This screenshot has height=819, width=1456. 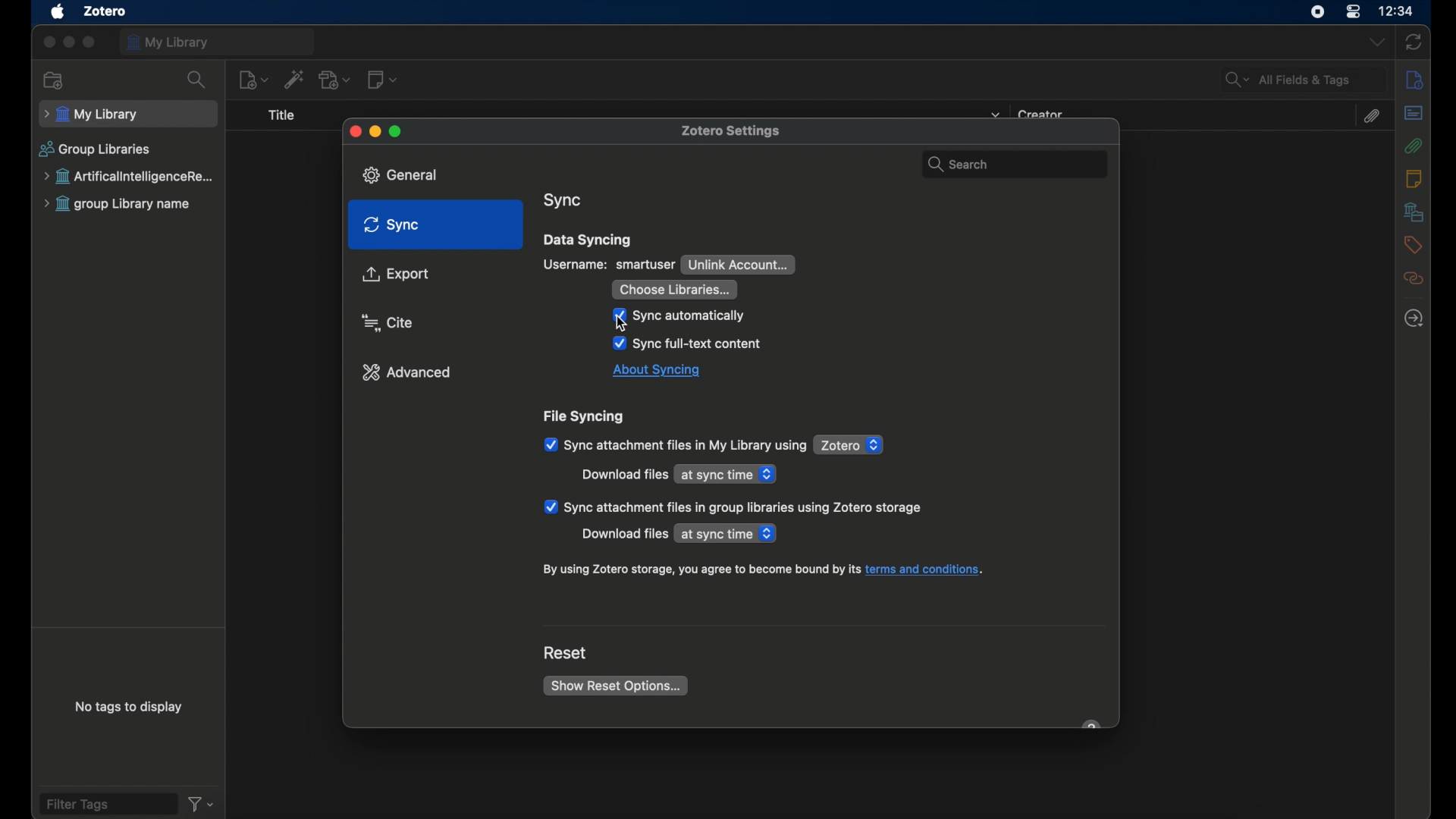 What do you see at coordinates (1413, 279) in the screenshot?
I see `related` at bounding box center [1413, 279].